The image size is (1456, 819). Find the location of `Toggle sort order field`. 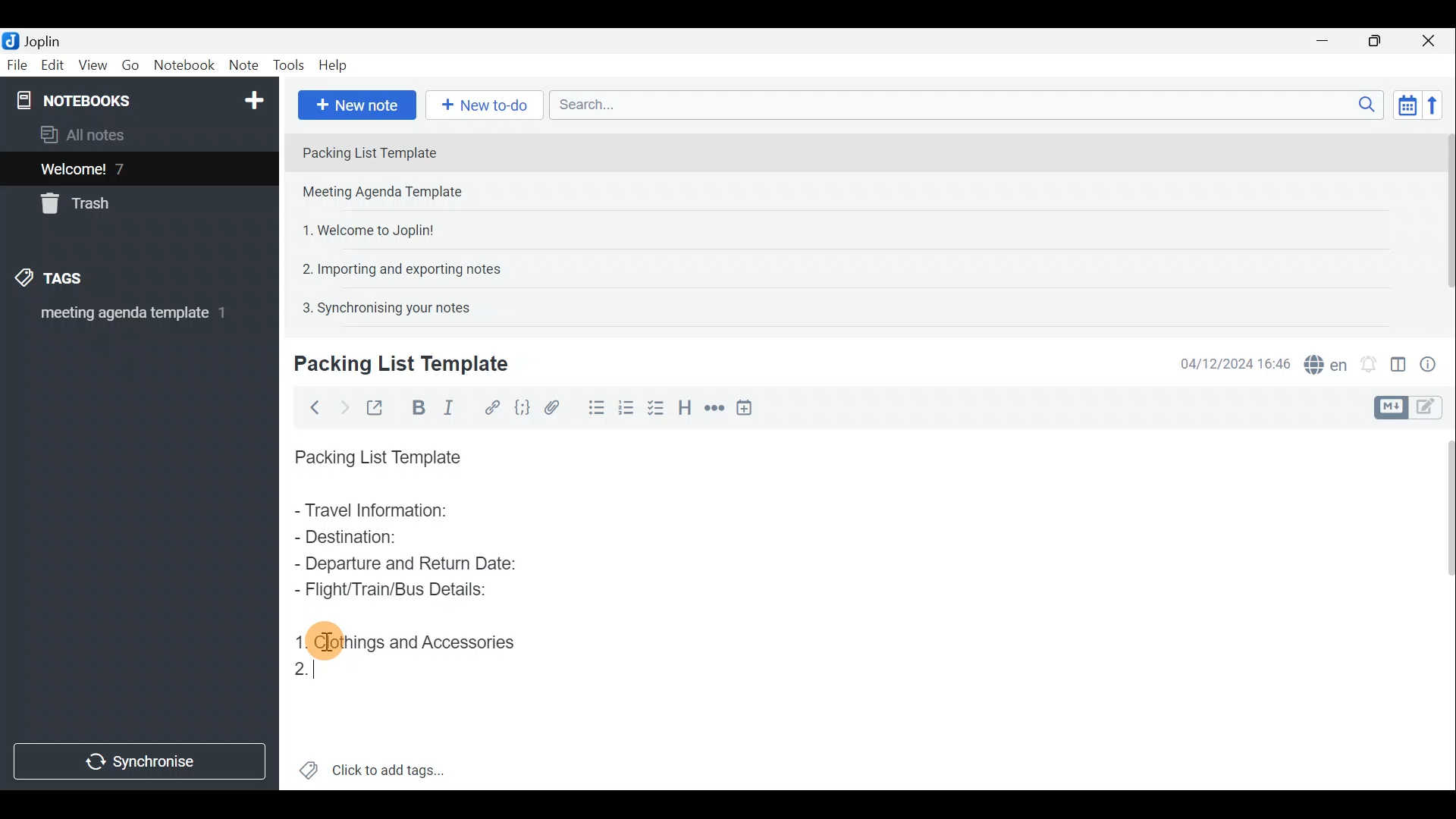

Toggle sort order field is located at coordinates (1402, 105).